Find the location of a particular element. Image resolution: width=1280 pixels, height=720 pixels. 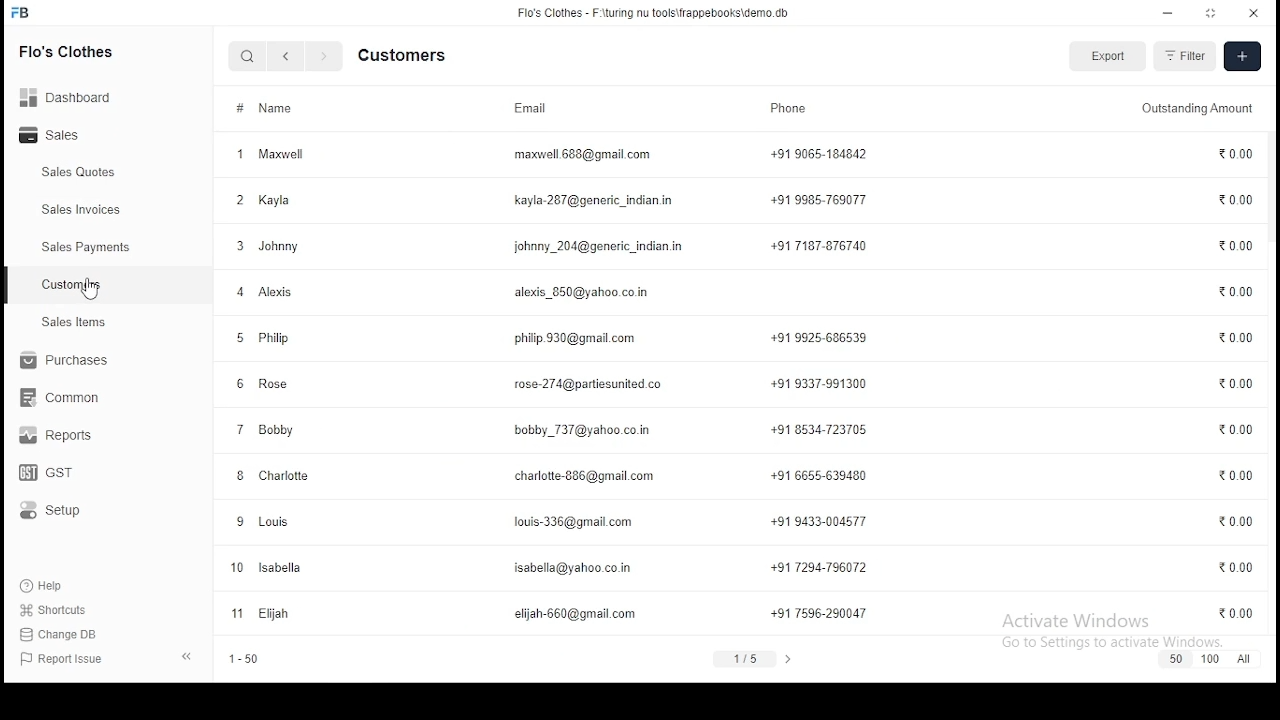

Sales Quotes is located at coordinates (79, 172).